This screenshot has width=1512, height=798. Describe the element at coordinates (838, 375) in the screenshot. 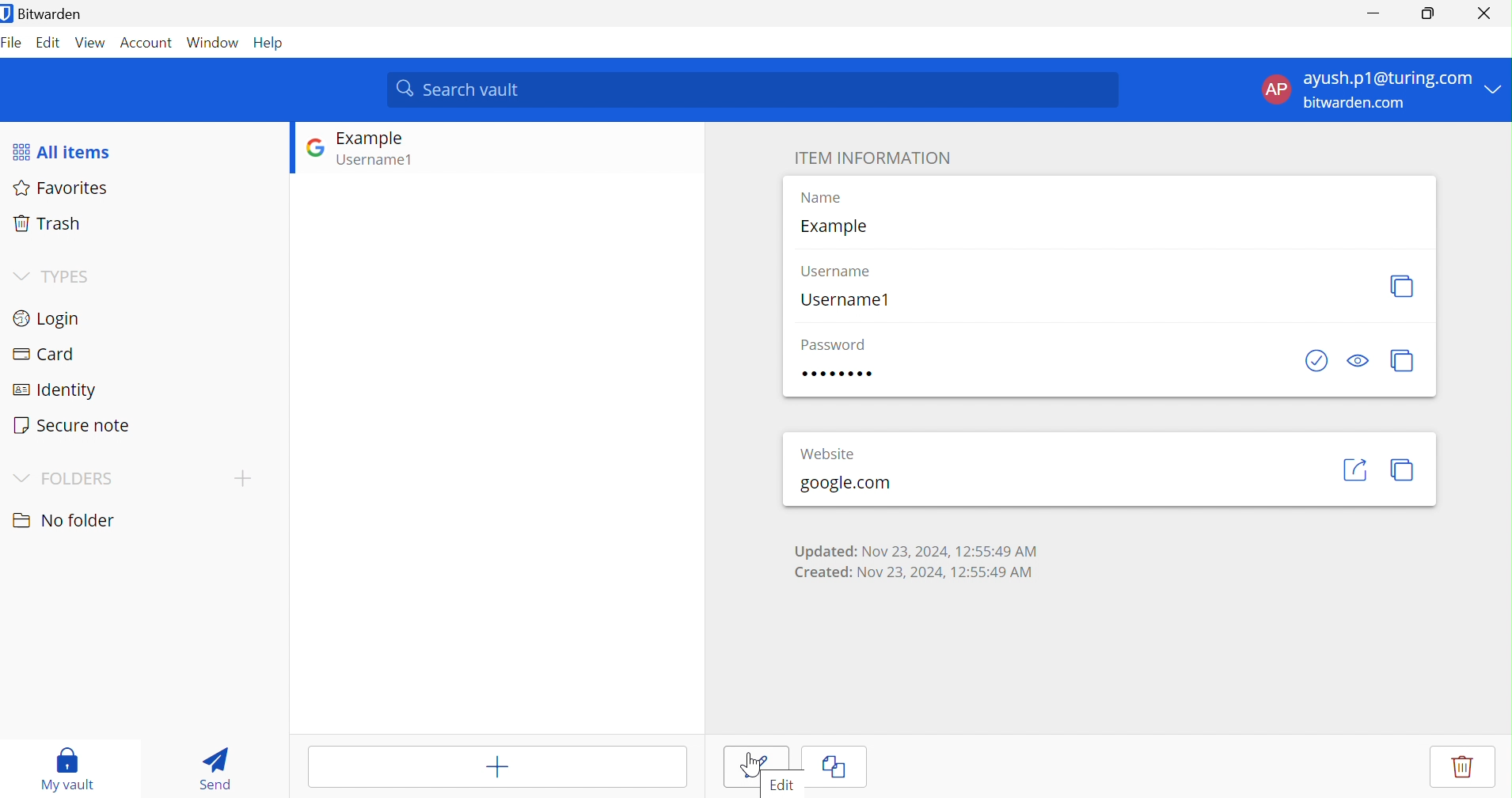

I see `Password` at that location.